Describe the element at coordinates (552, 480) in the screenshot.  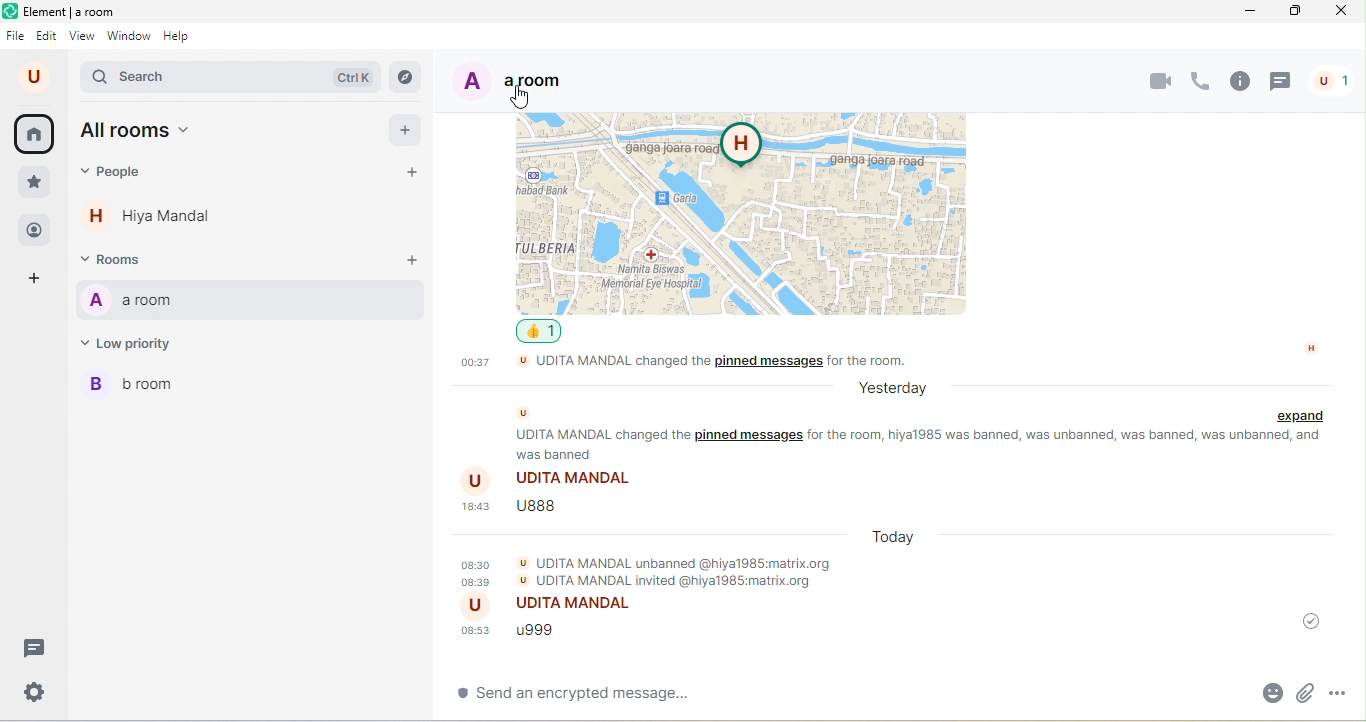
I see `udita mandal` at that location.